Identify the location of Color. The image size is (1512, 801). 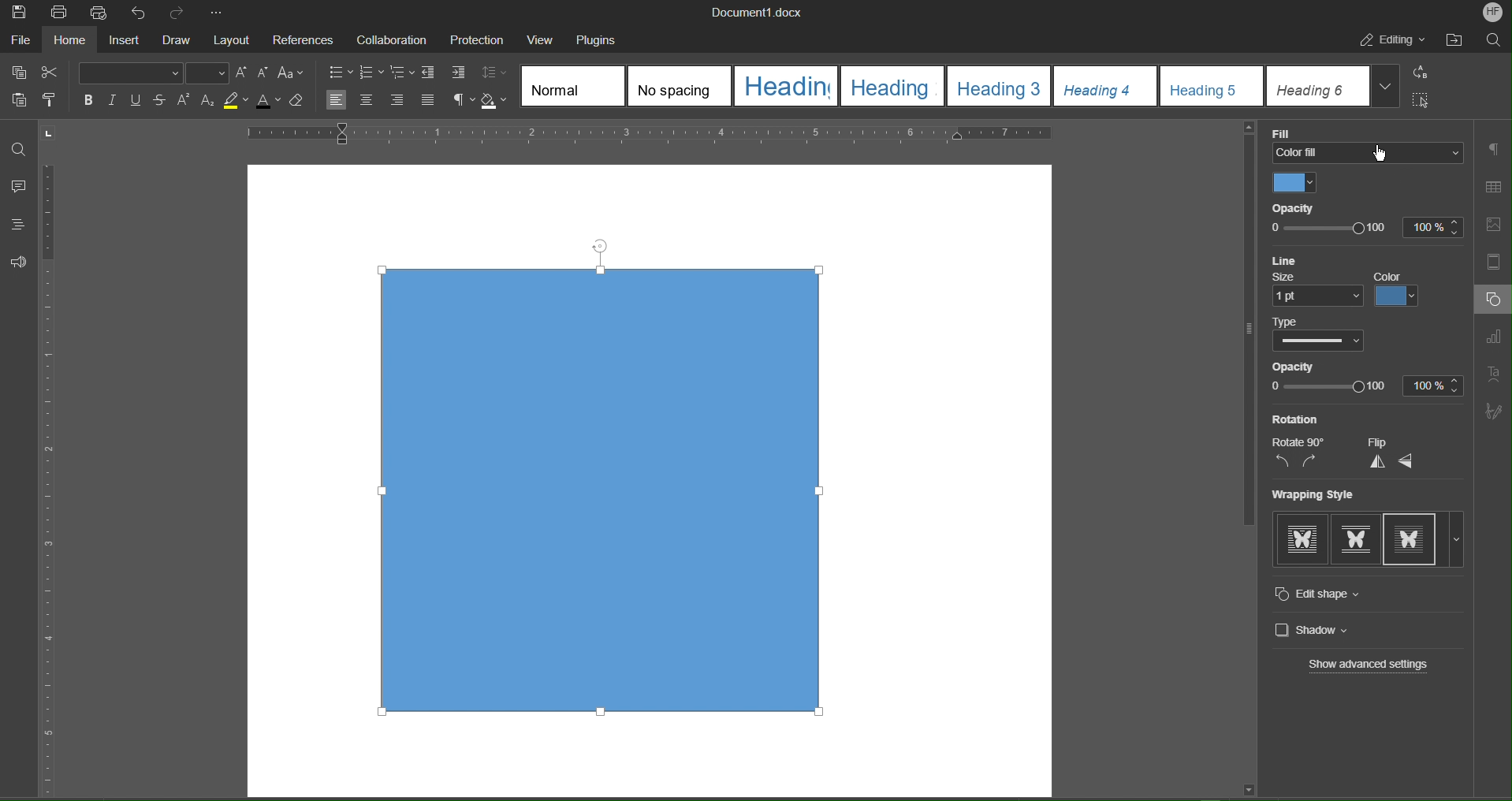
(1291, 180).